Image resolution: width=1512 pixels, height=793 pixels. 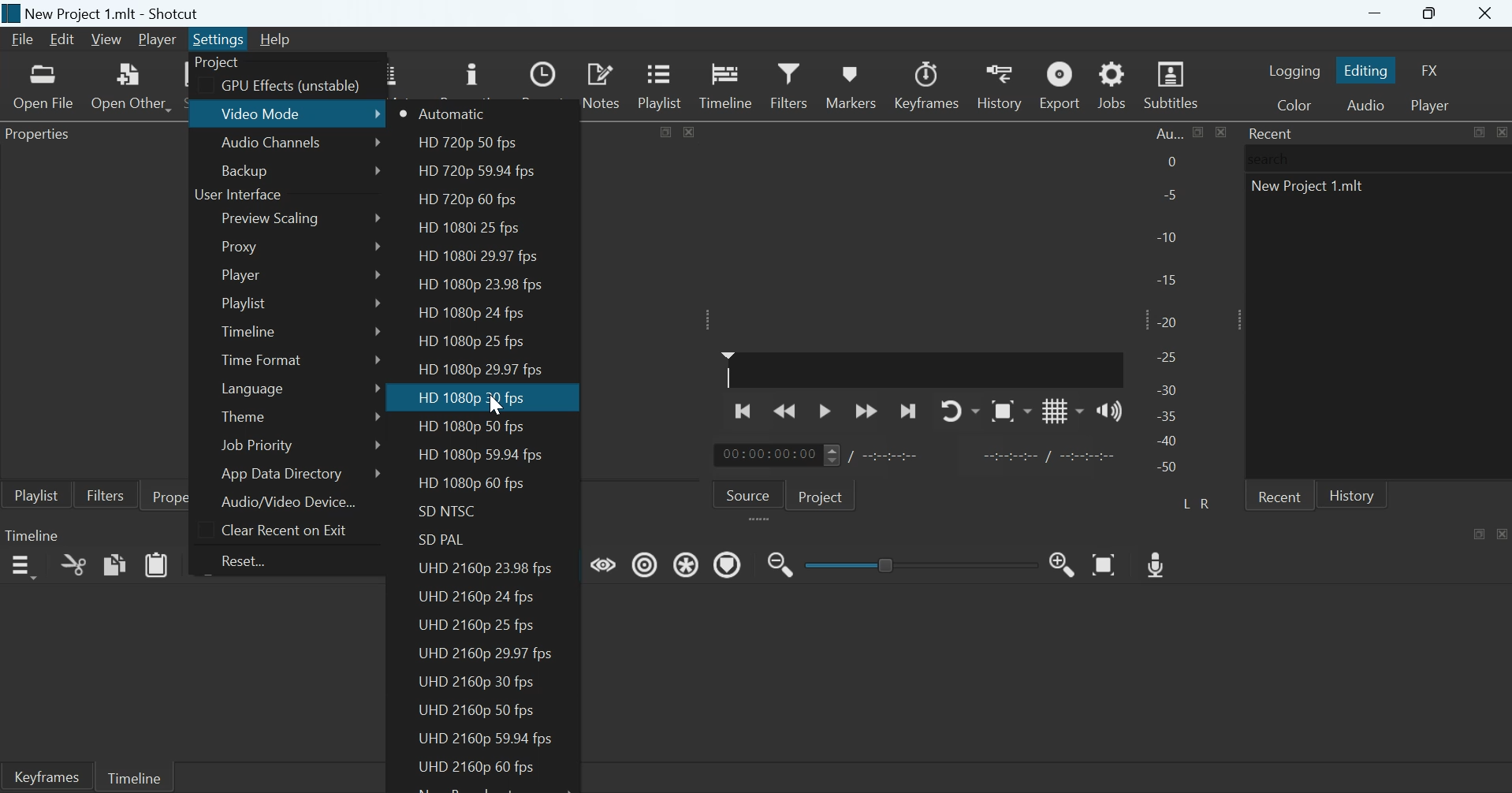 What do you see at coordinates (24, 39) in the screenshot?
I see `File` at bounding box center [24, 39].